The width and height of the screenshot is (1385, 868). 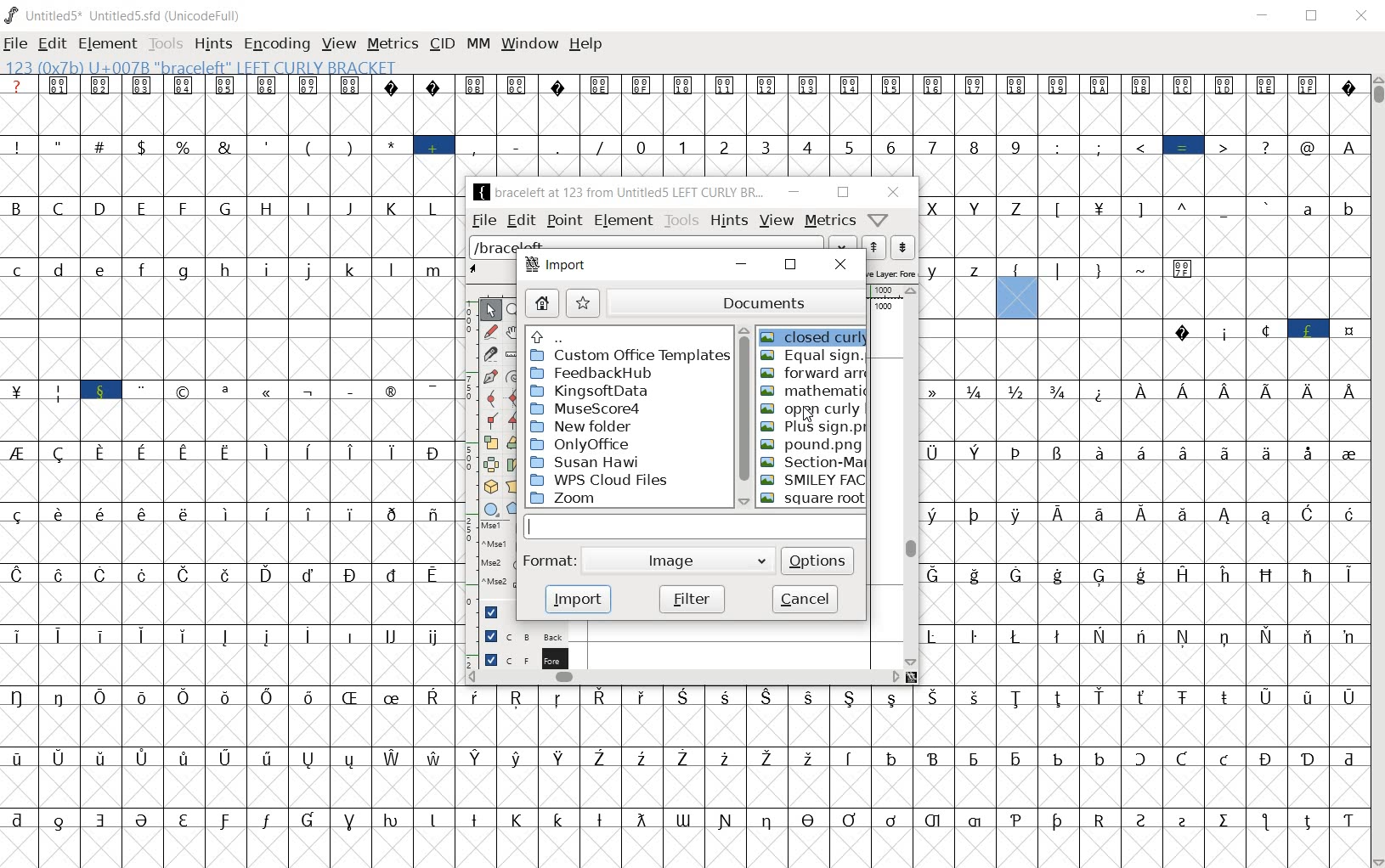 What do you see at coordinates (681, 220) in the screenshot?
I see `tools` at bounding box center [681, 220].